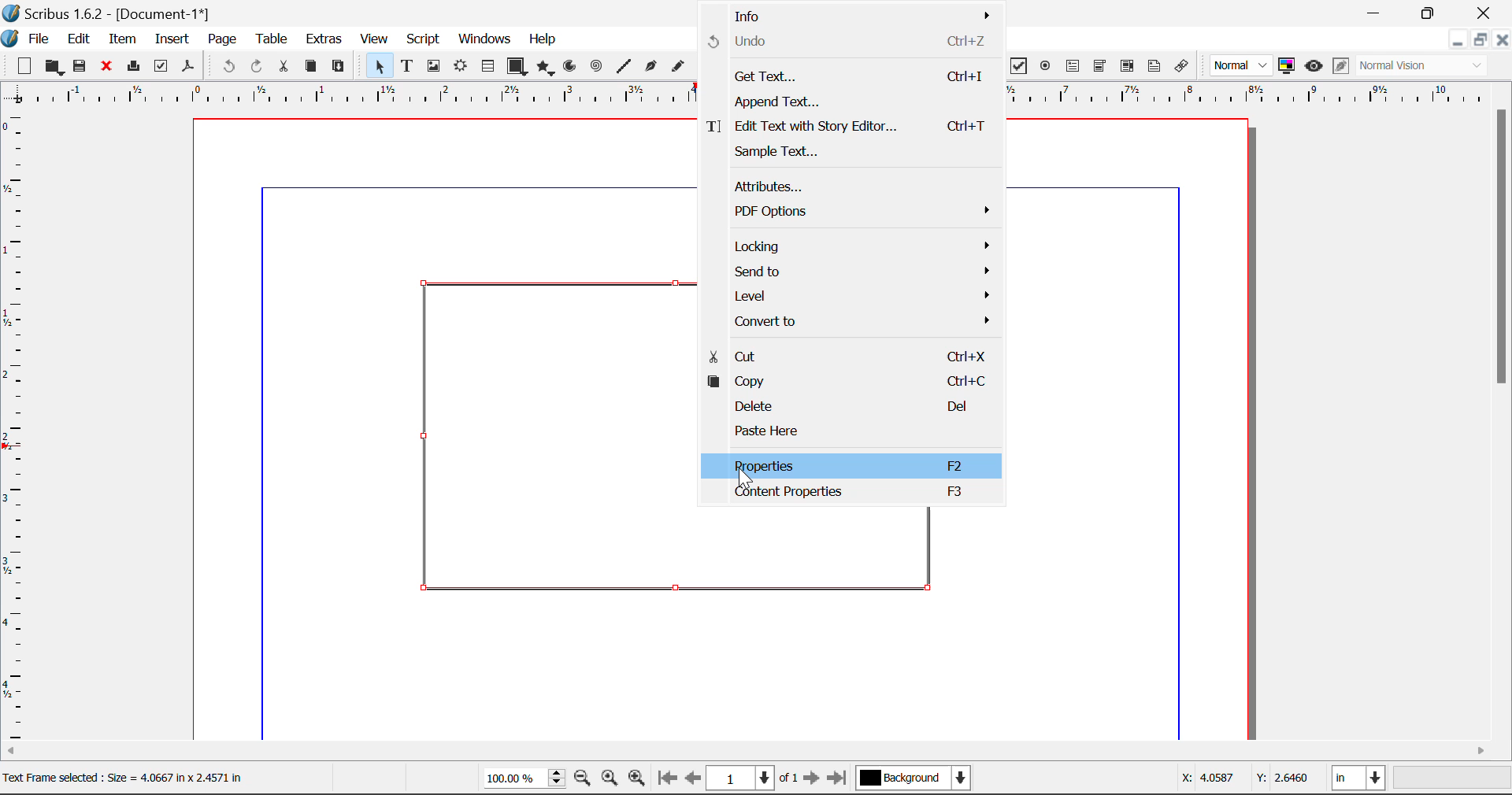 Image resolution: width=1512 pixels, height=795 pixels. What do you see at coordinates (132, 67) in the screenshot?
I see `Print` at bounding box center [132, 67].